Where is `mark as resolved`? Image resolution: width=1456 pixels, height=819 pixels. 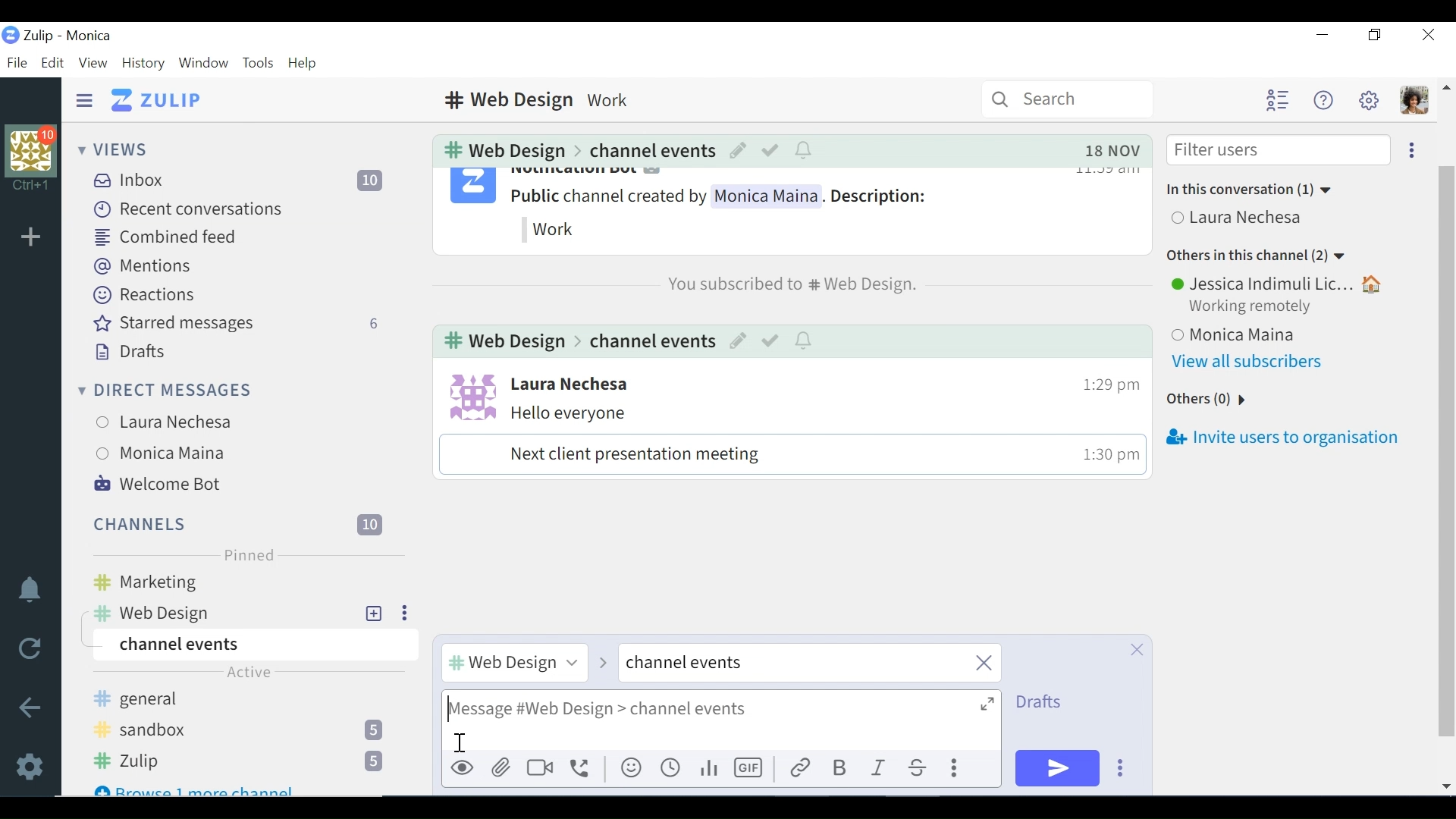 mark as resolved is located at coordinates (771, 342).